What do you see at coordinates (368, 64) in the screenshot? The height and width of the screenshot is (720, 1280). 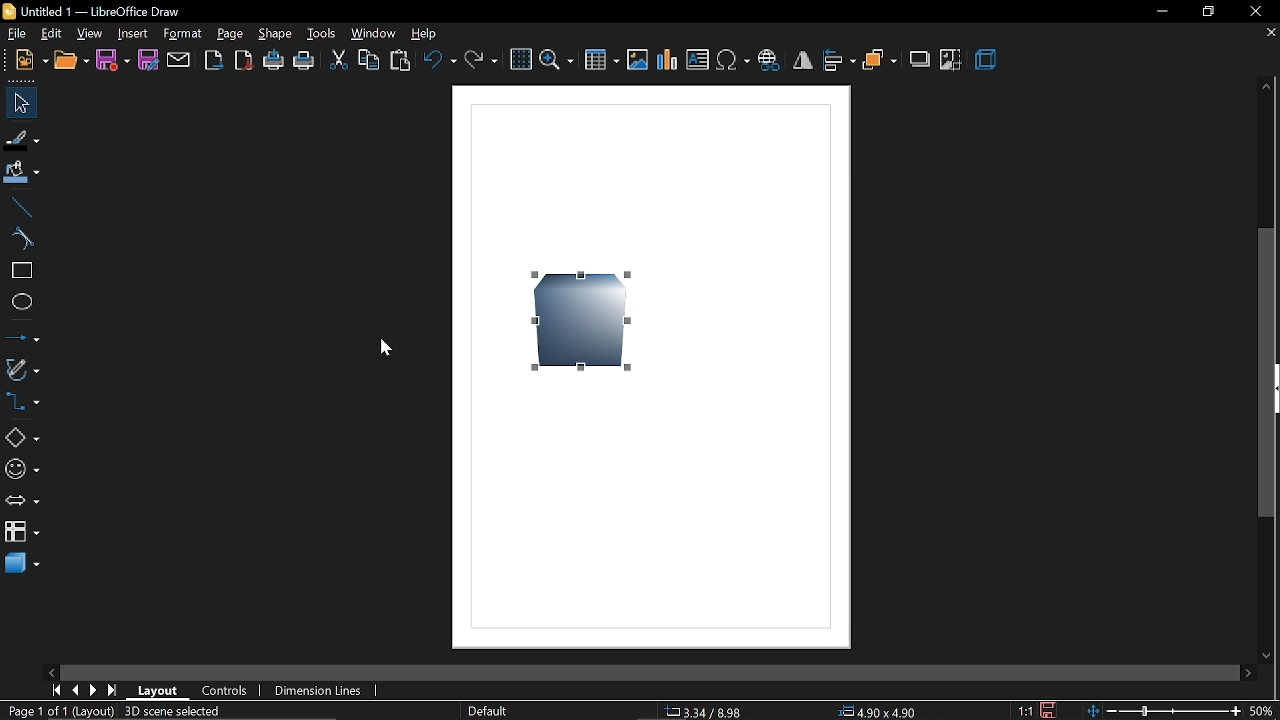 I see `copy` at bounding box center [368, 64].